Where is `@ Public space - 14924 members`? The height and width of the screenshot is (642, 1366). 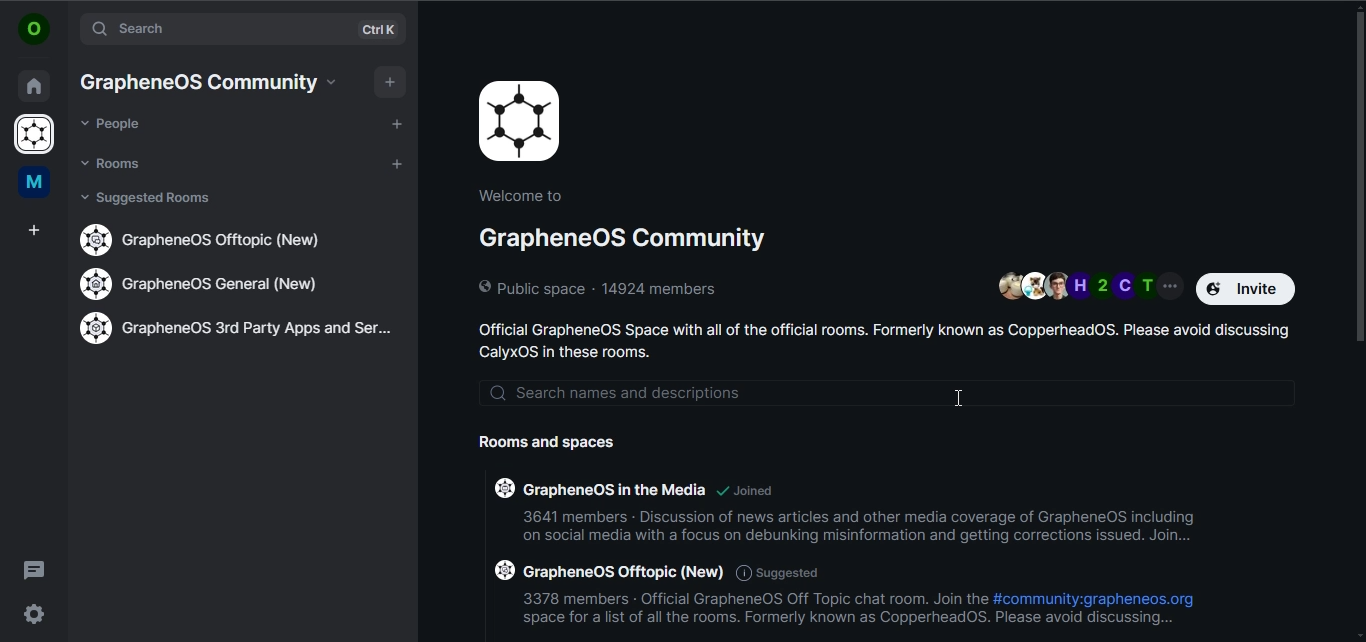
@ Public space - 14924 members is located at coordinates (602, 288).